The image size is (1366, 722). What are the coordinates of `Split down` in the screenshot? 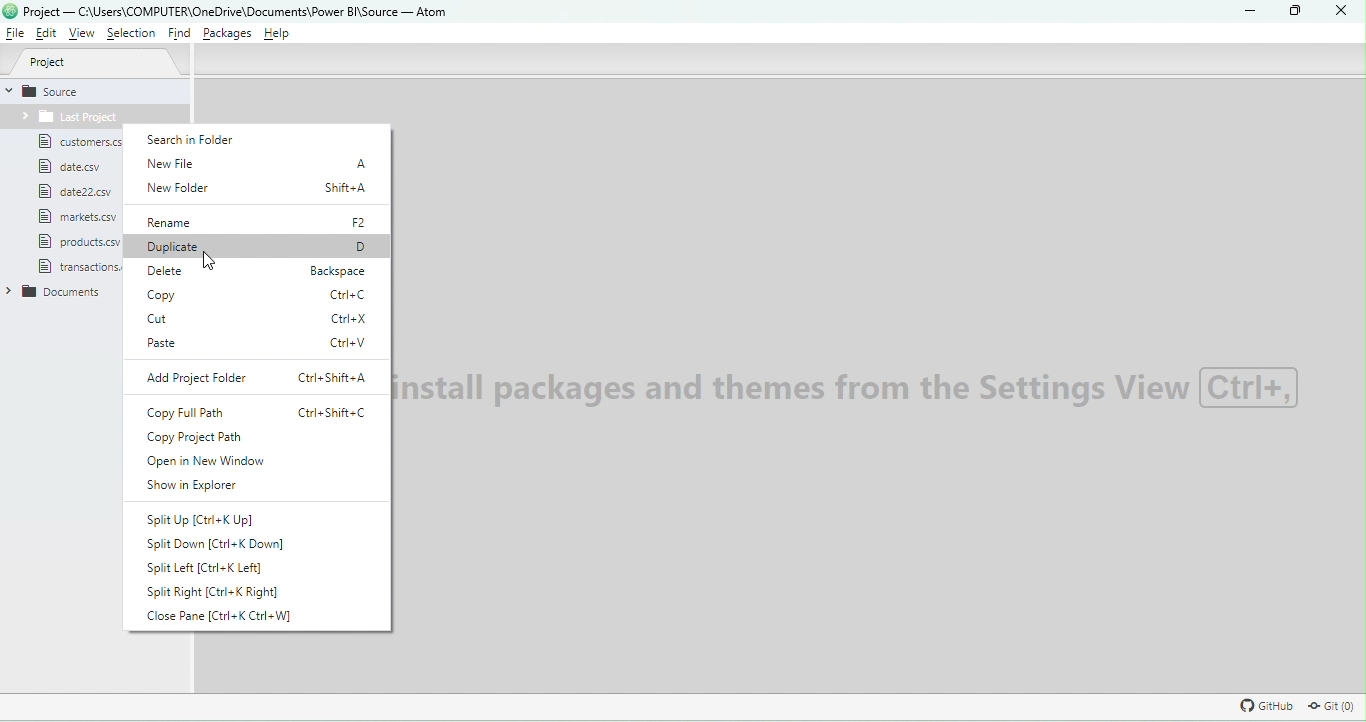 It's located at (221, 544).